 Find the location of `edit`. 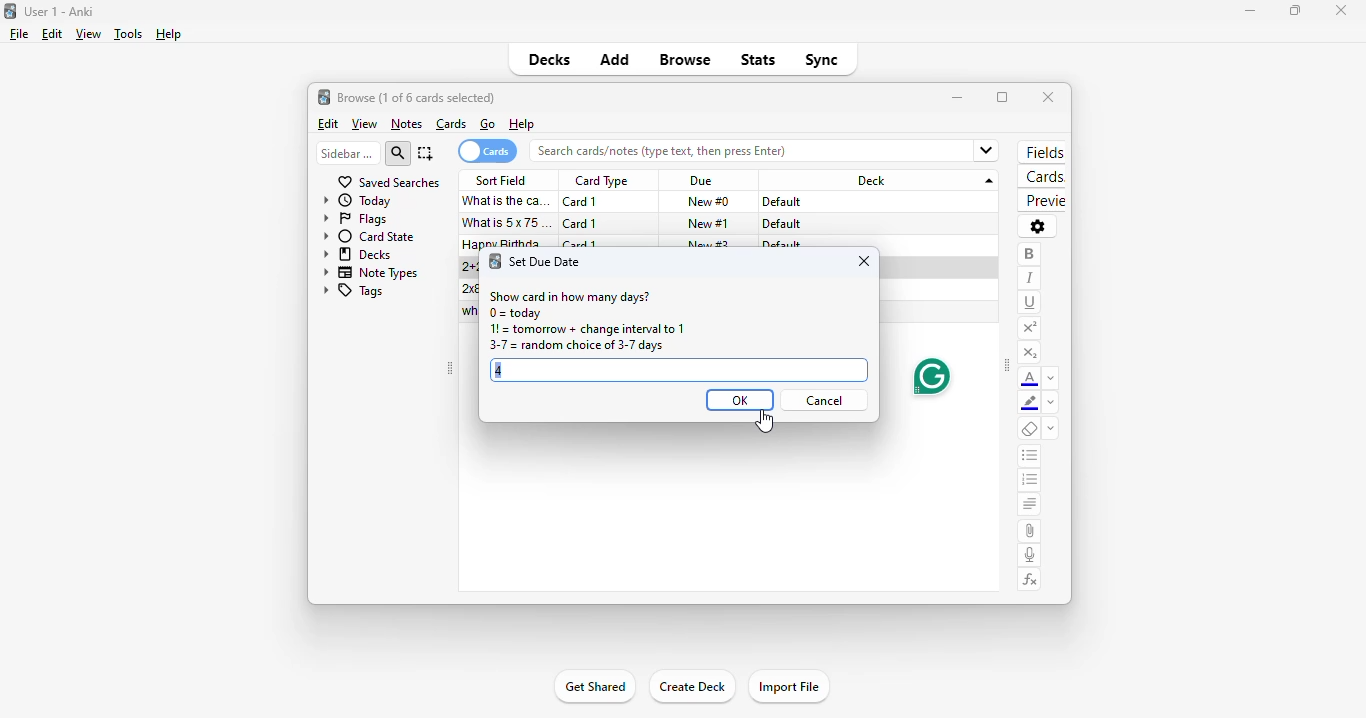

edit is located at coordinates (327, 124).